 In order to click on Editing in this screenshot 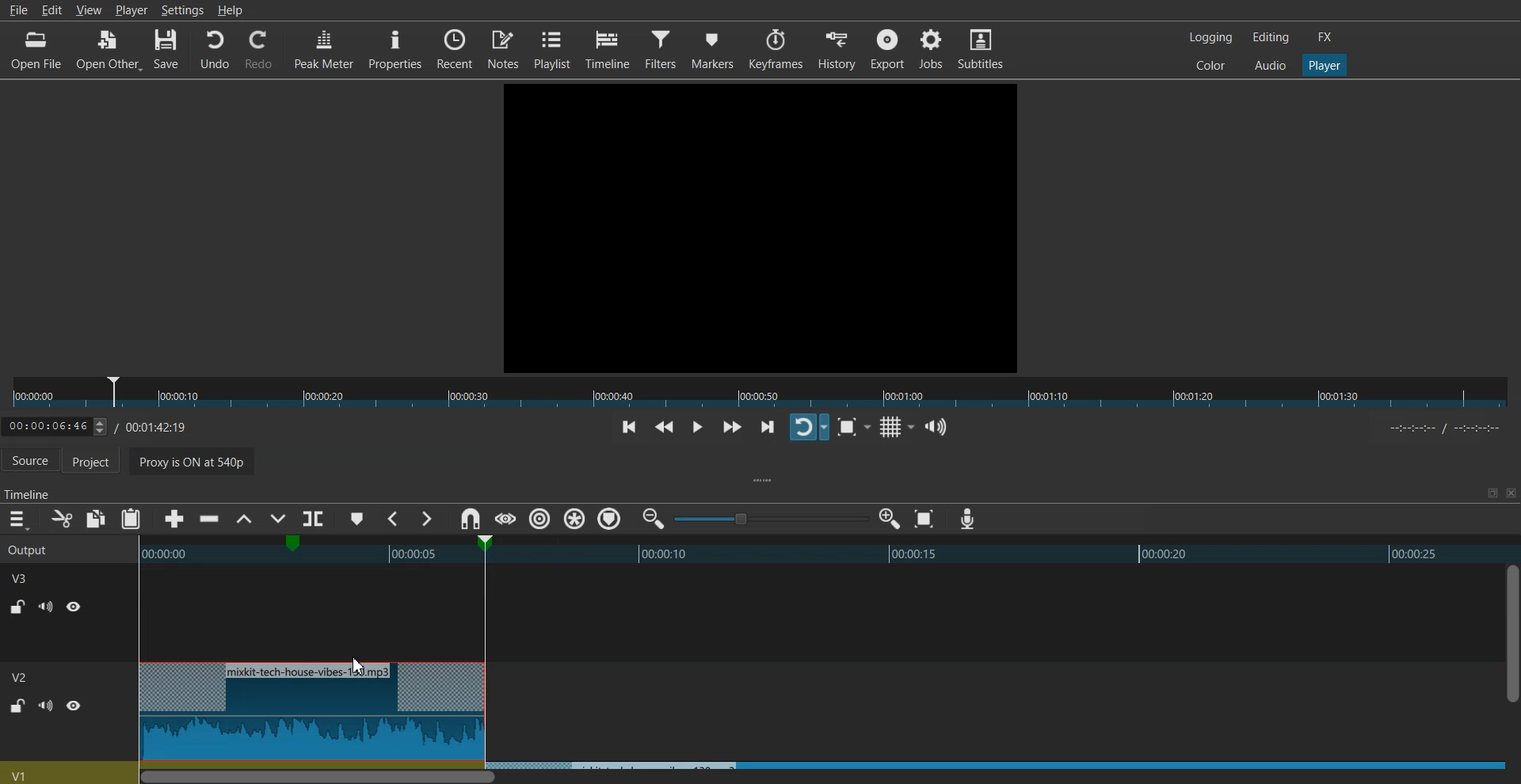, I will do `click(1271, 36)`.